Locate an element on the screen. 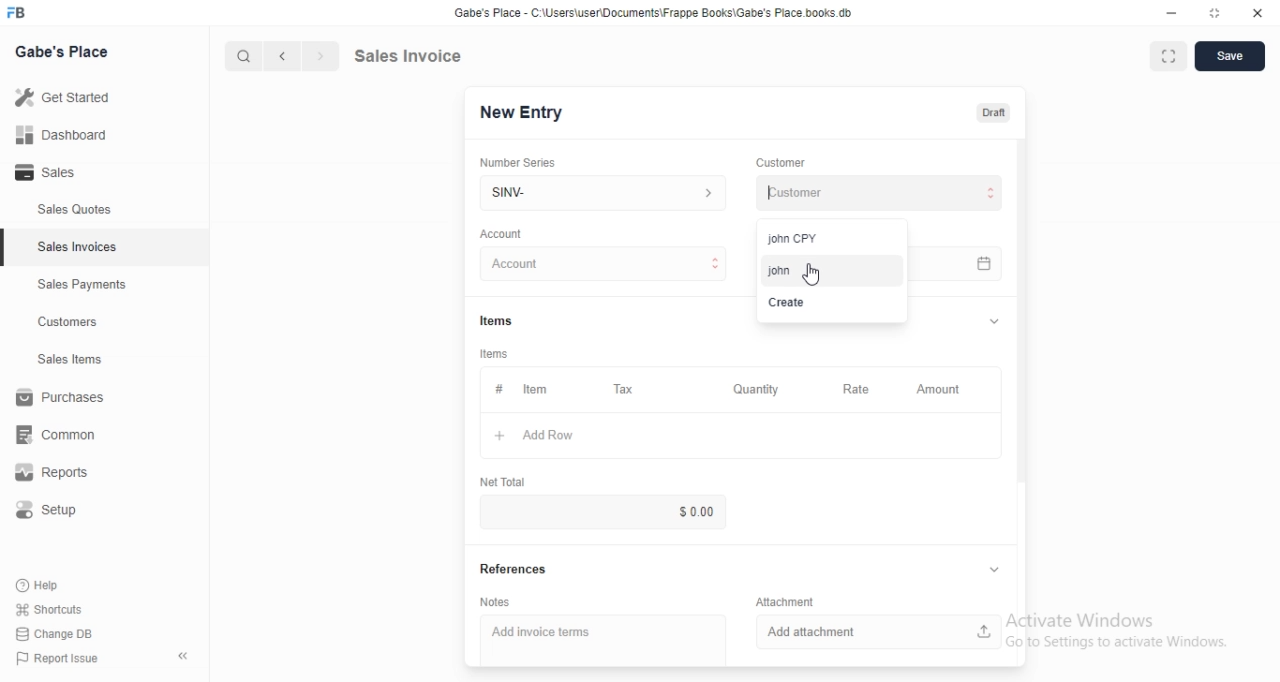 The image size is (1280, 682).  is located at coordinates (499, 320).